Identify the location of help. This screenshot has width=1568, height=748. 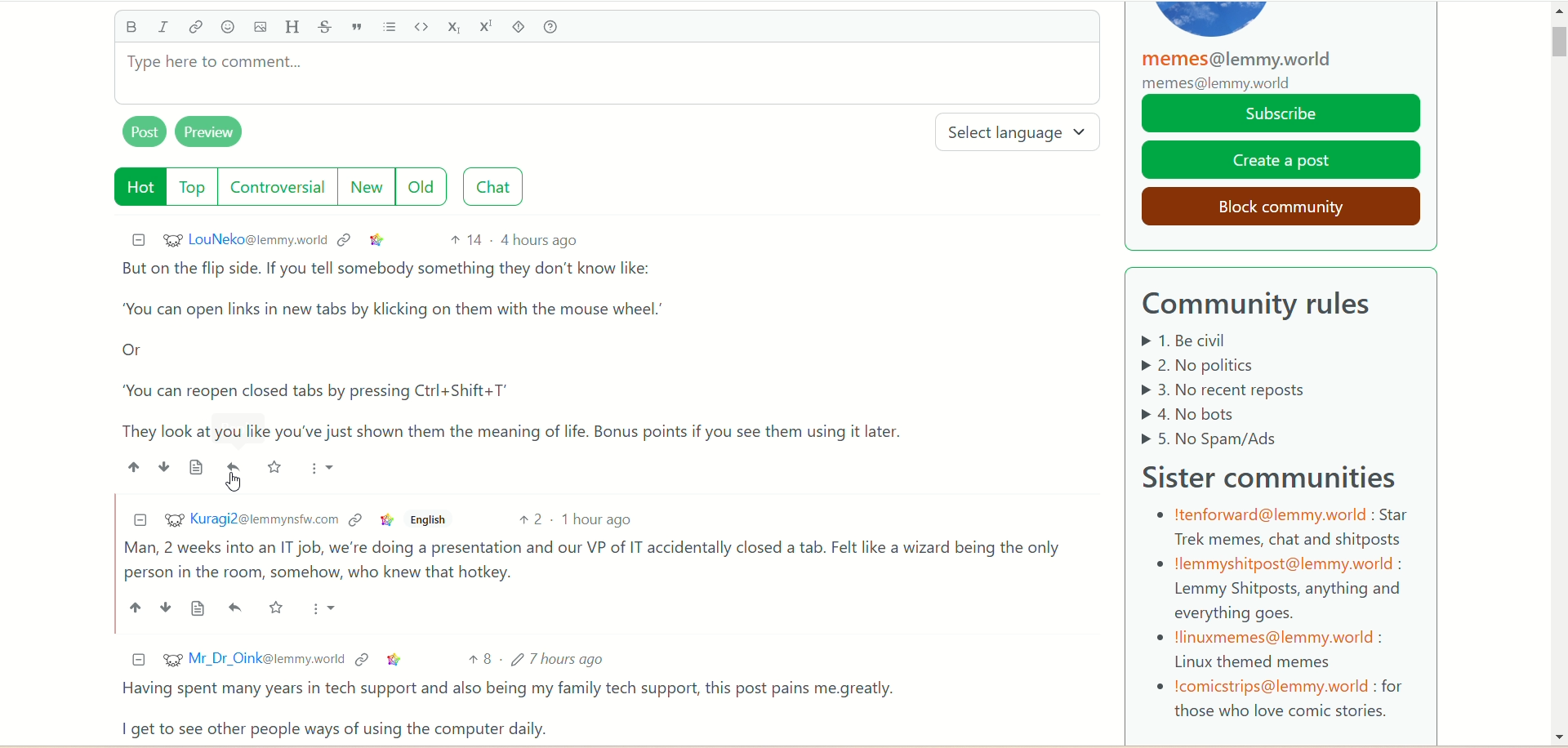
(560, 28).